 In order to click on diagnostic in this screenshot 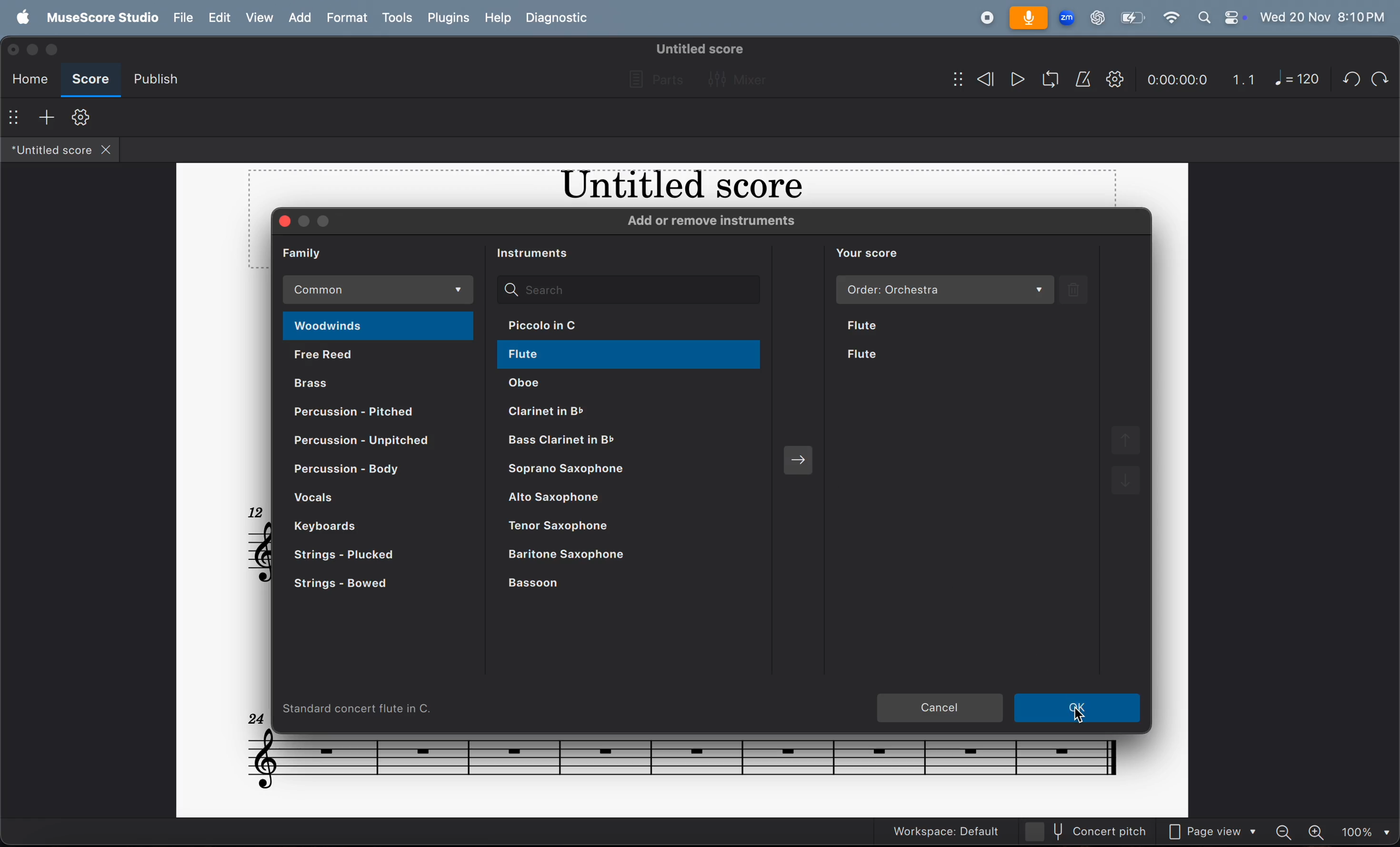, I will do `click(559, 21)`.